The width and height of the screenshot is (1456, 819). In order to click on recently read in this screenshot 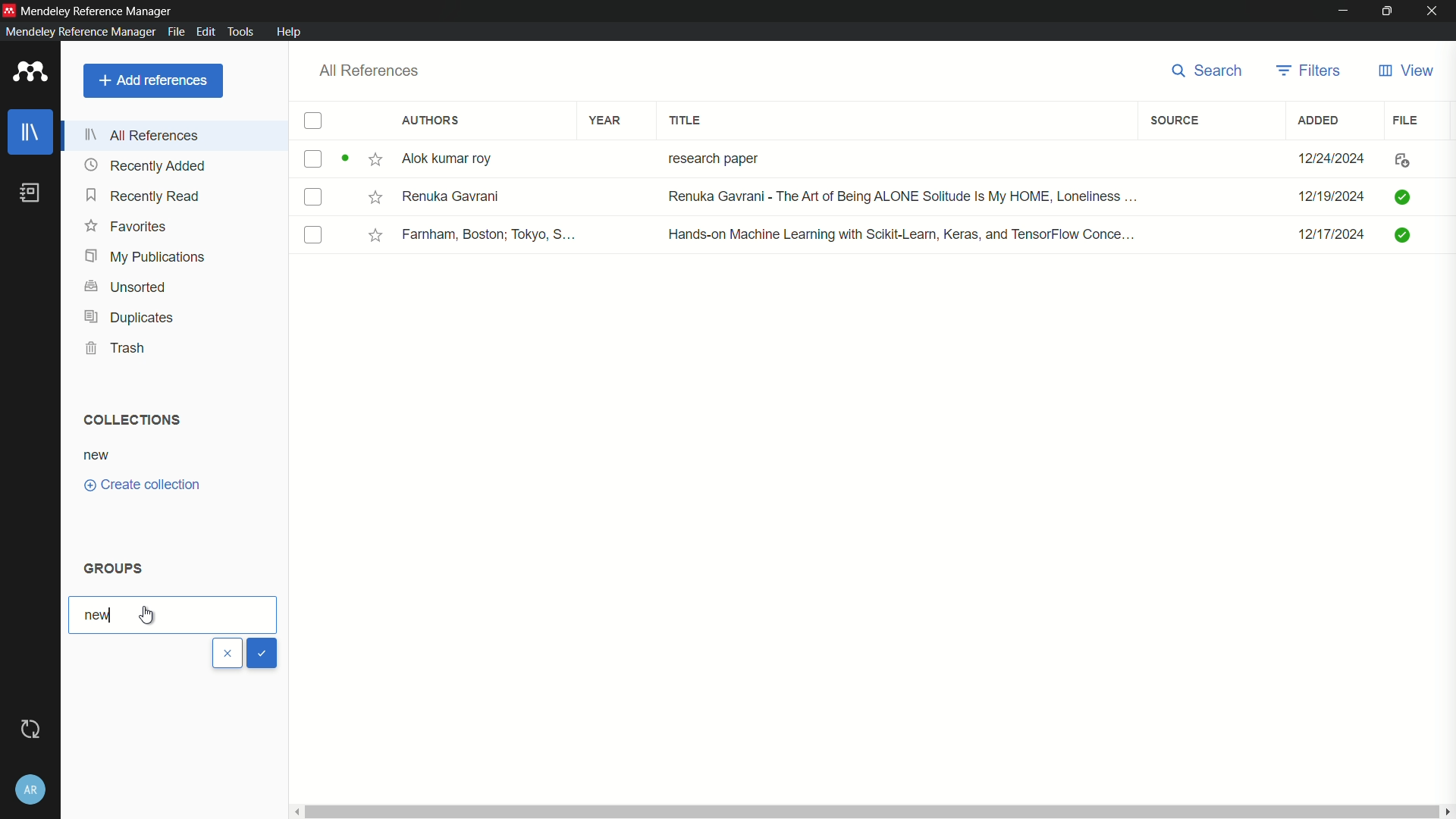, I will do `click(144, 197)`.